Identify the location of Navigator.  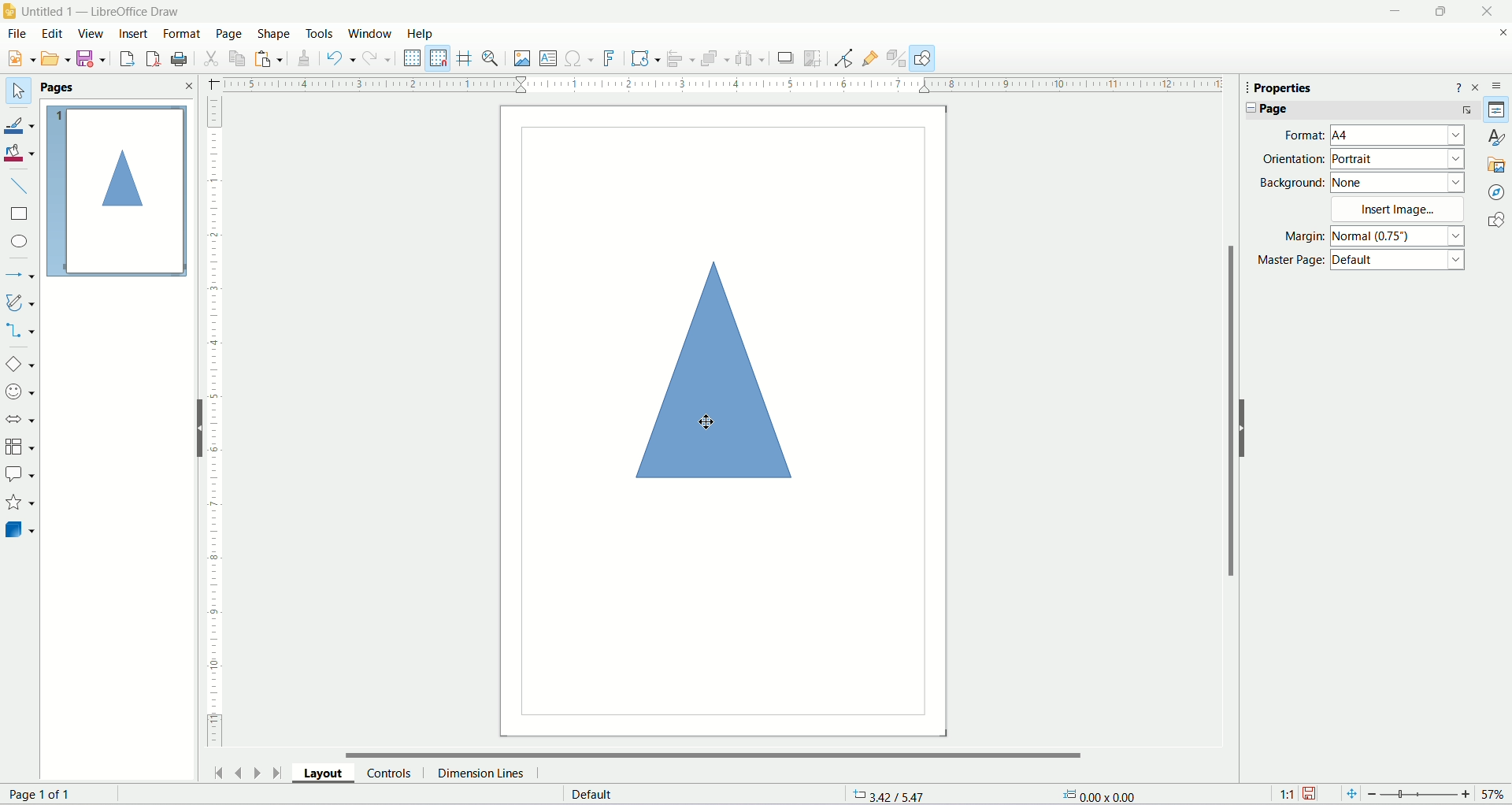
(1499, 191).